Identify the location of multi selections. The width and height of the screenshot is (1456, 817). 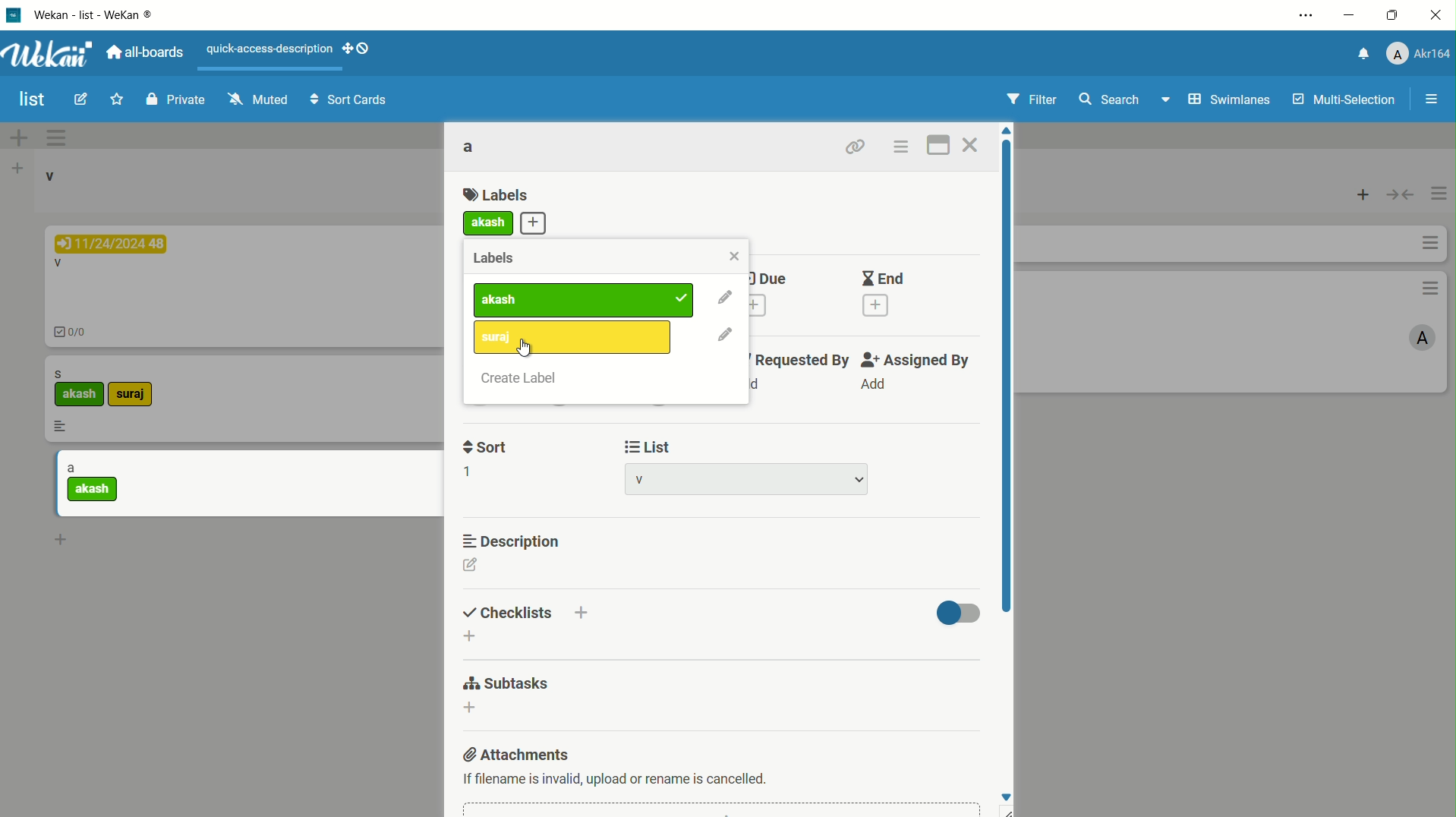
(1342, 101).